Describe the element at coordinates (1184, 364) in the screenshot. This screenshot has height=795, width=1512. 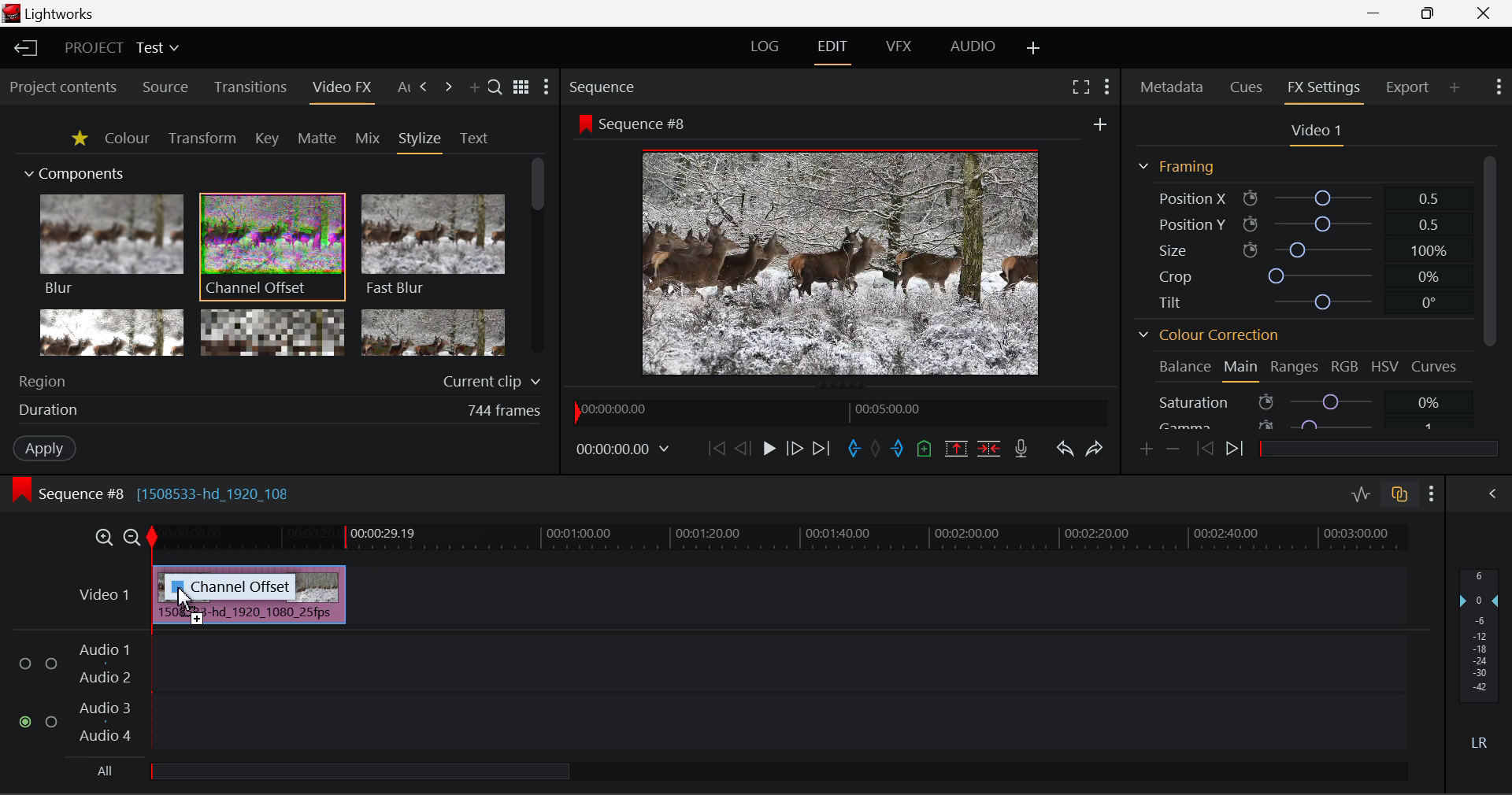
I see `Balance` at that location.